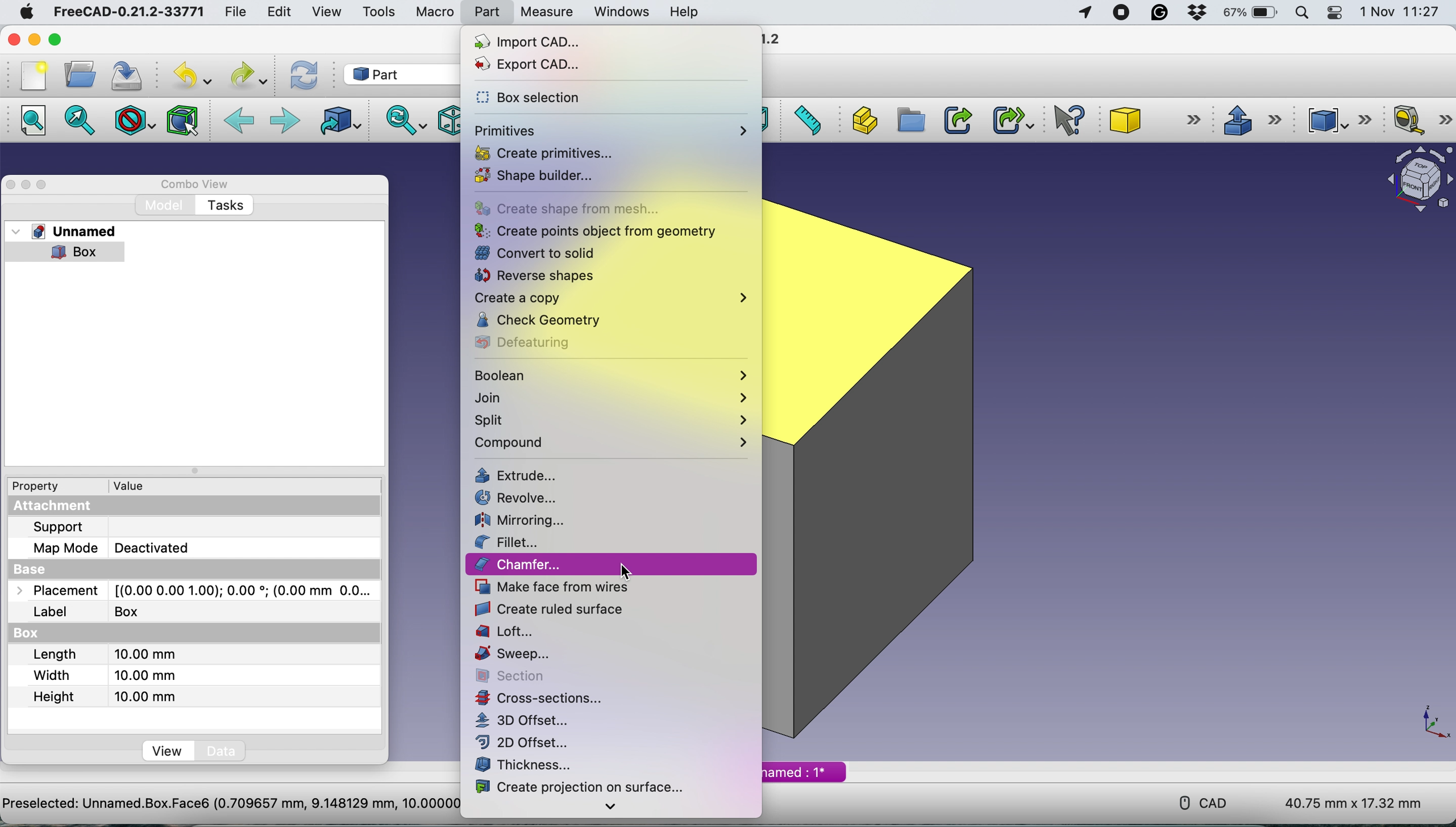 The width and height of the screenshot is (1456, 827). What do you see at coordinates (381, 12) in the screenshot?
I see `tools` at bounding box center [381, 12].